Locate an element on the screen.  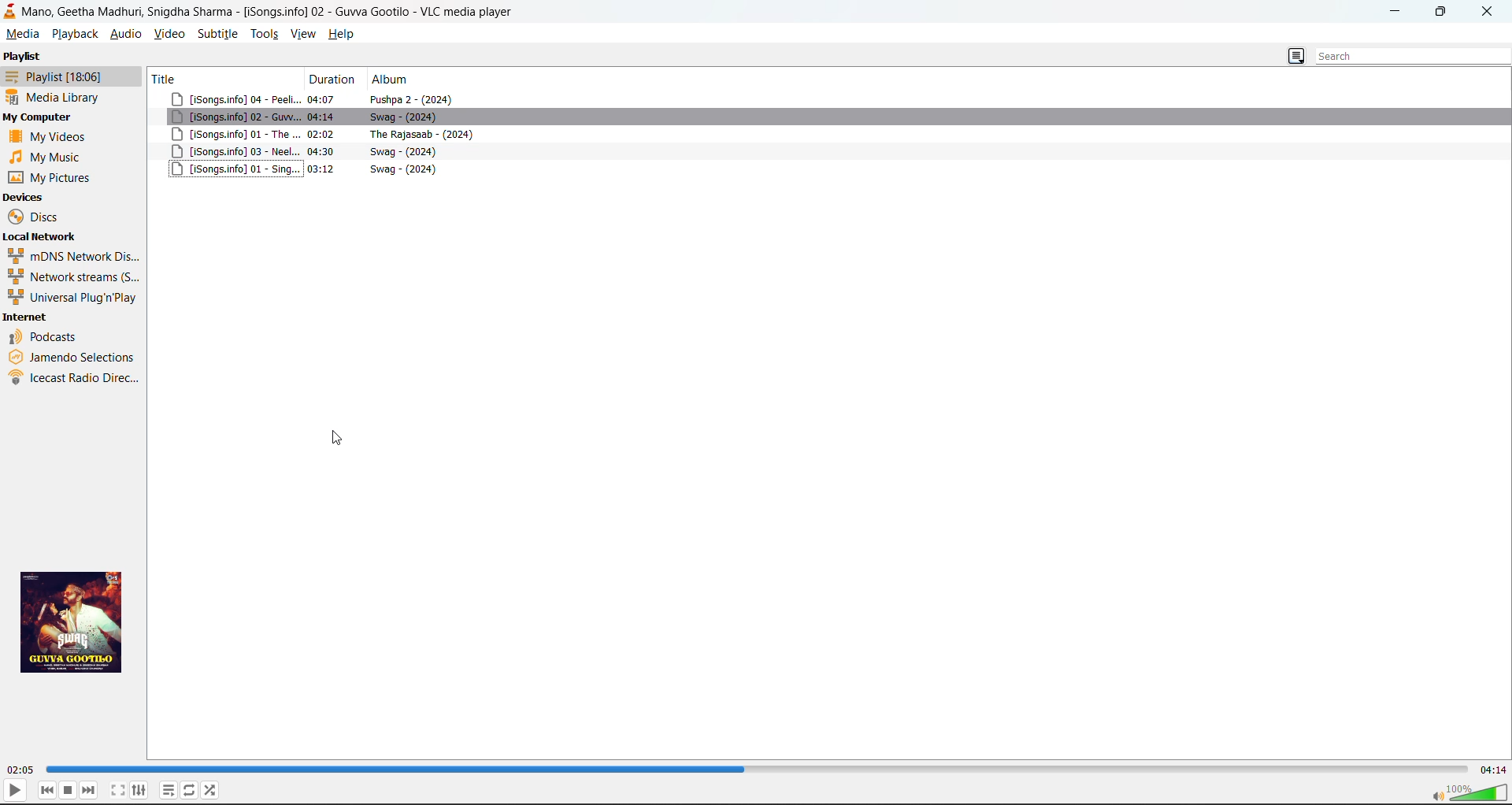
tools is located at coordinates (265, 33).